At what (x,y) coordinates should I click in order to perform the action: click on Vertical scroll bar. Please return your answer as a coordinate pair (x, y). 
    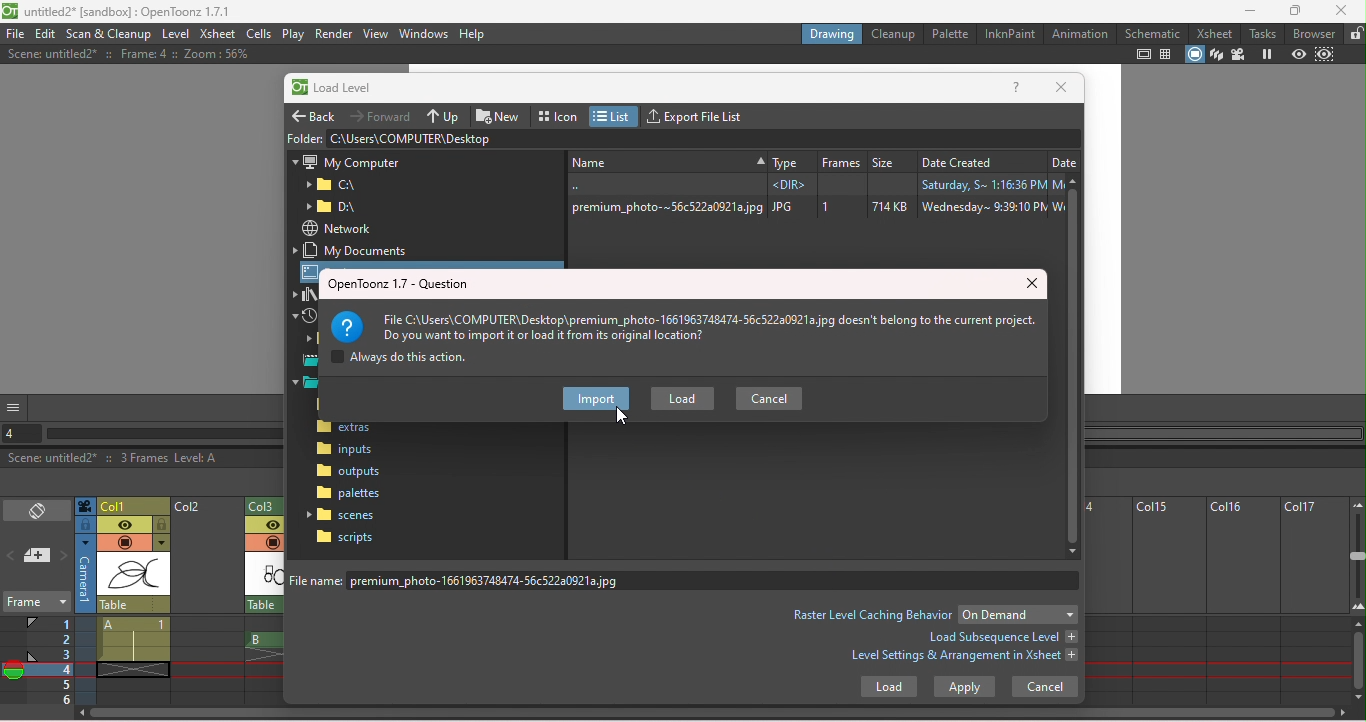
    Looking at the image, I should click on (1075, 366).